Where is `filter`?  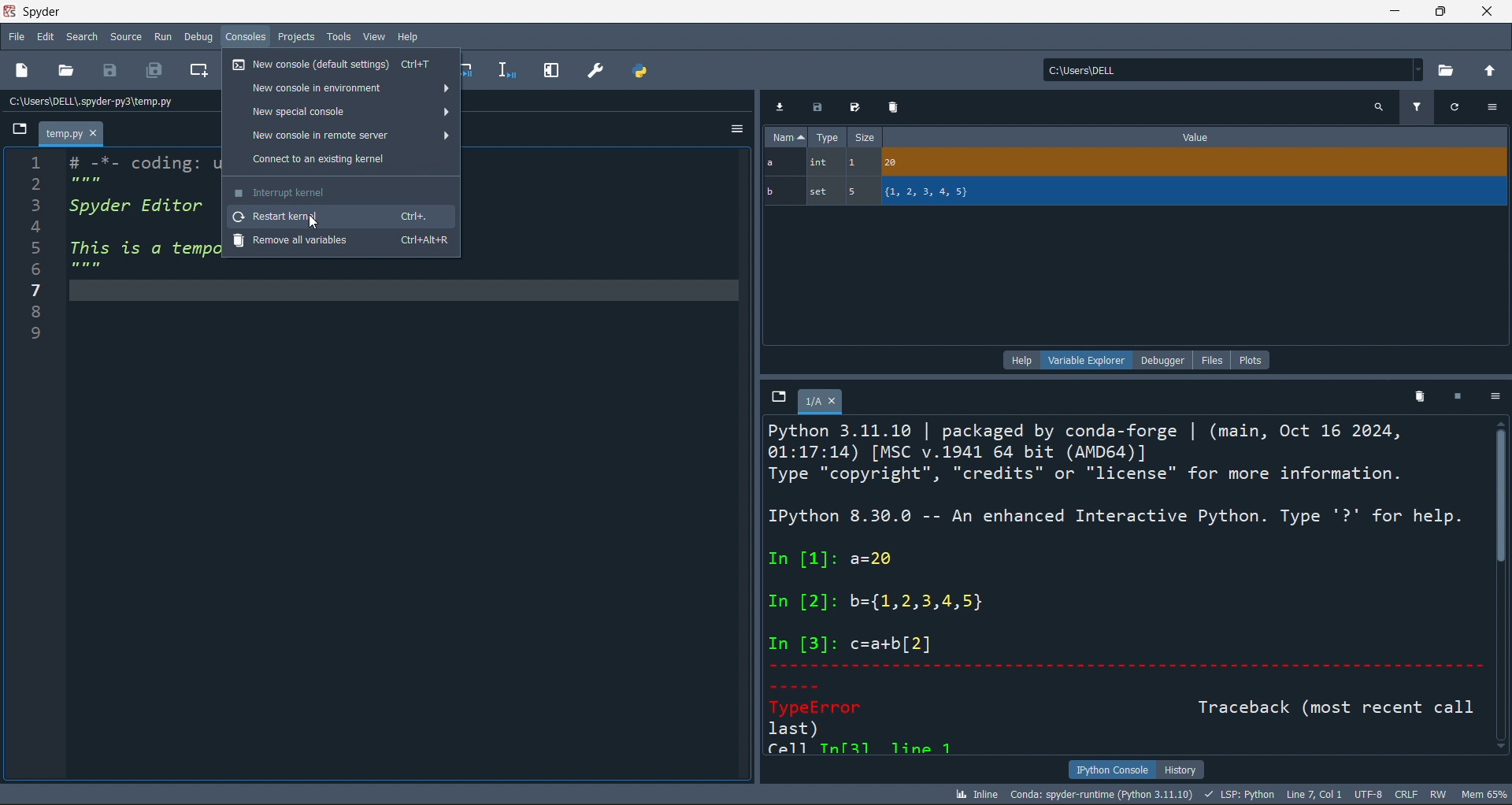 filter is located at coordinates (1413, 109).